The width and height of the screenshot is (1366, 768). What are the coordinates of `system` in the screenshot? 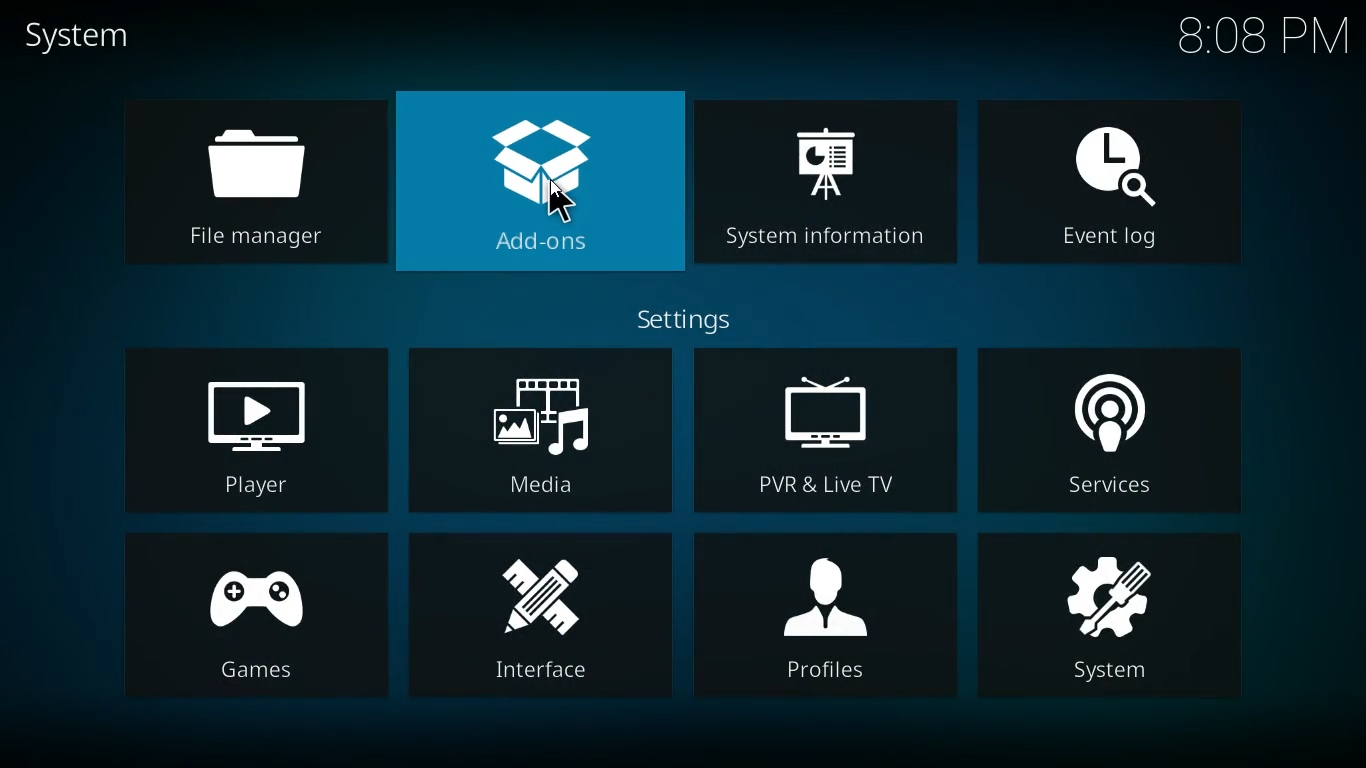 It's located at (1116, 625).